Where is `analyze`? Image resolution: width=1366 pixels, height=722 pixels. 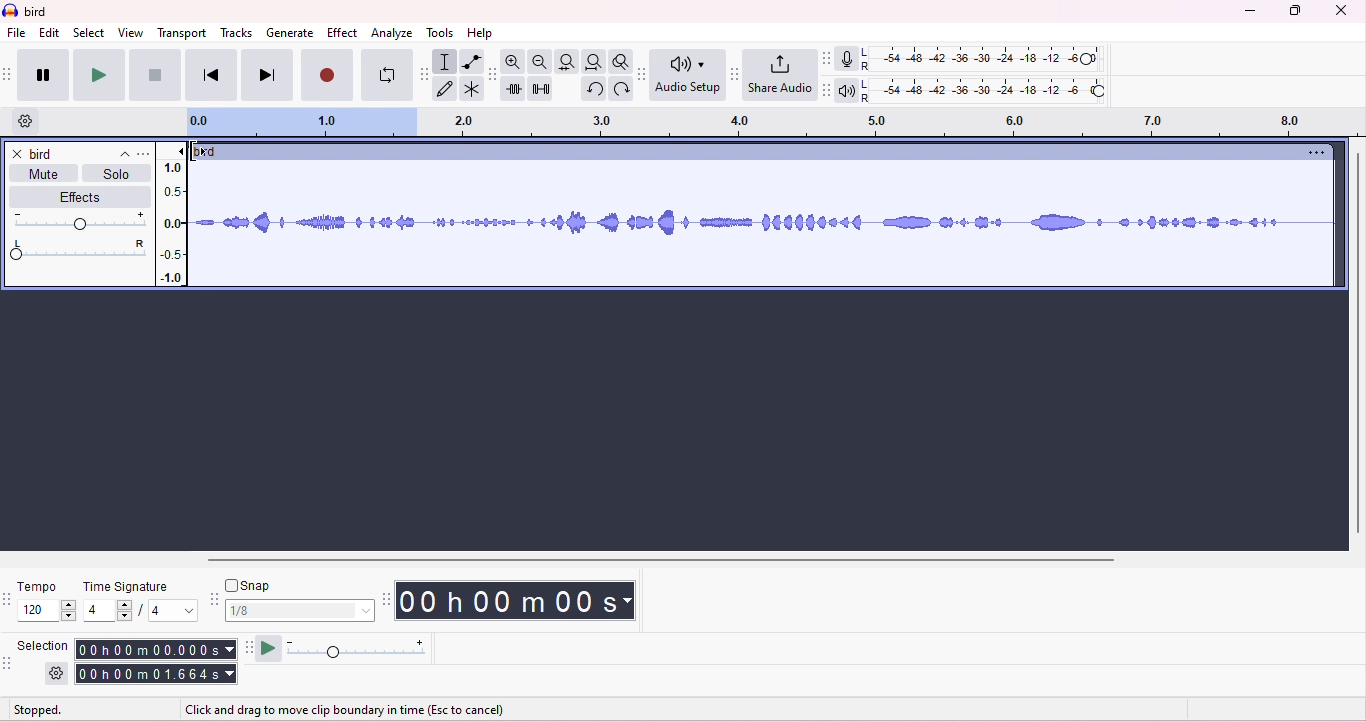
analyze is located at coordinates (394, 32).